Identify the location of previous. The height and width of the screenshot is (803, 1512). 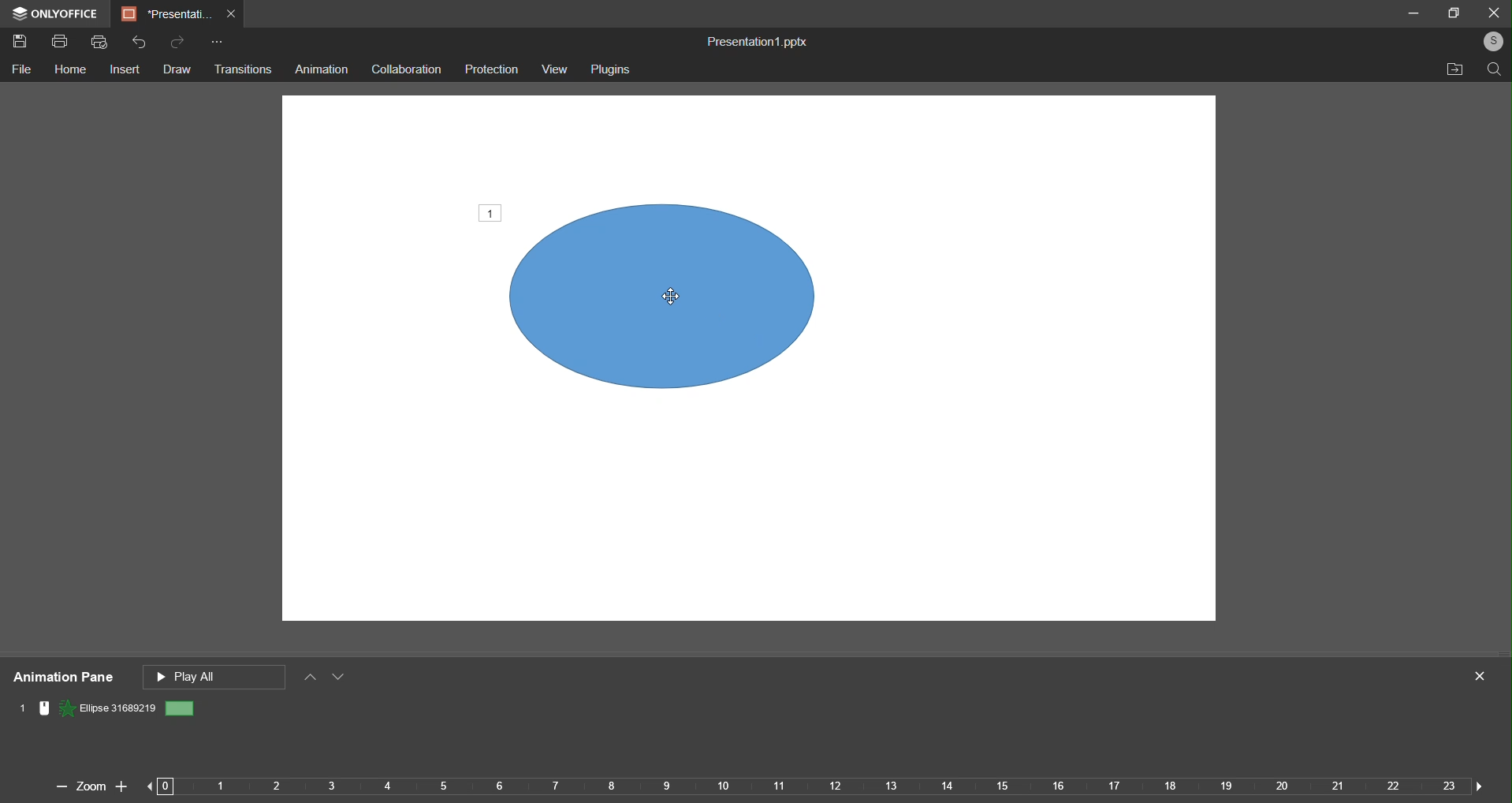
(161, 786).